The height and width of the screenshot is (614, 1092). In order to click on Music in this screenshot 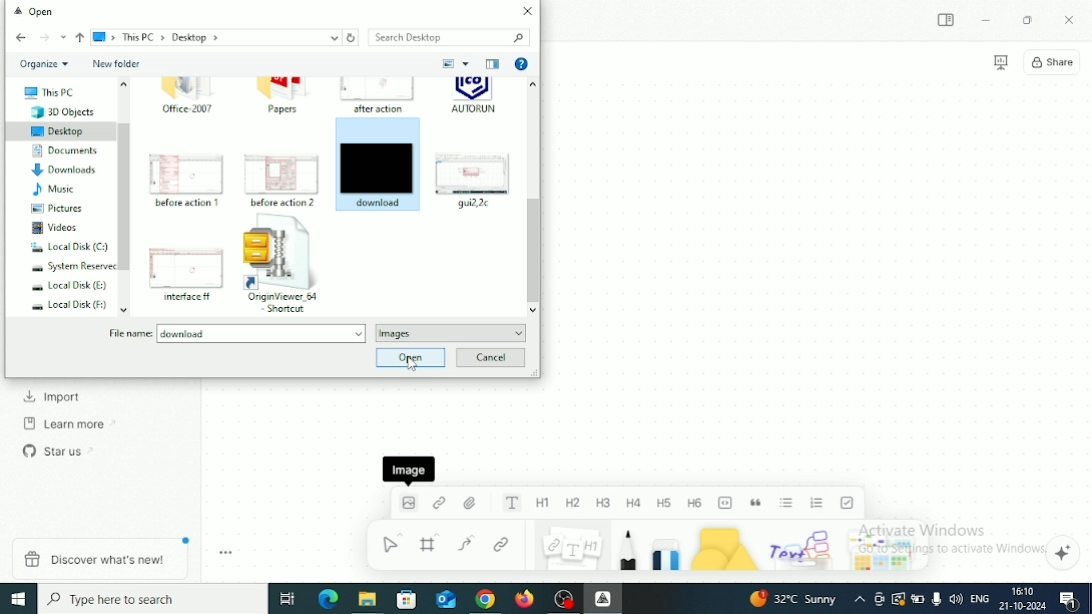, I will do `click(51, 190)`.